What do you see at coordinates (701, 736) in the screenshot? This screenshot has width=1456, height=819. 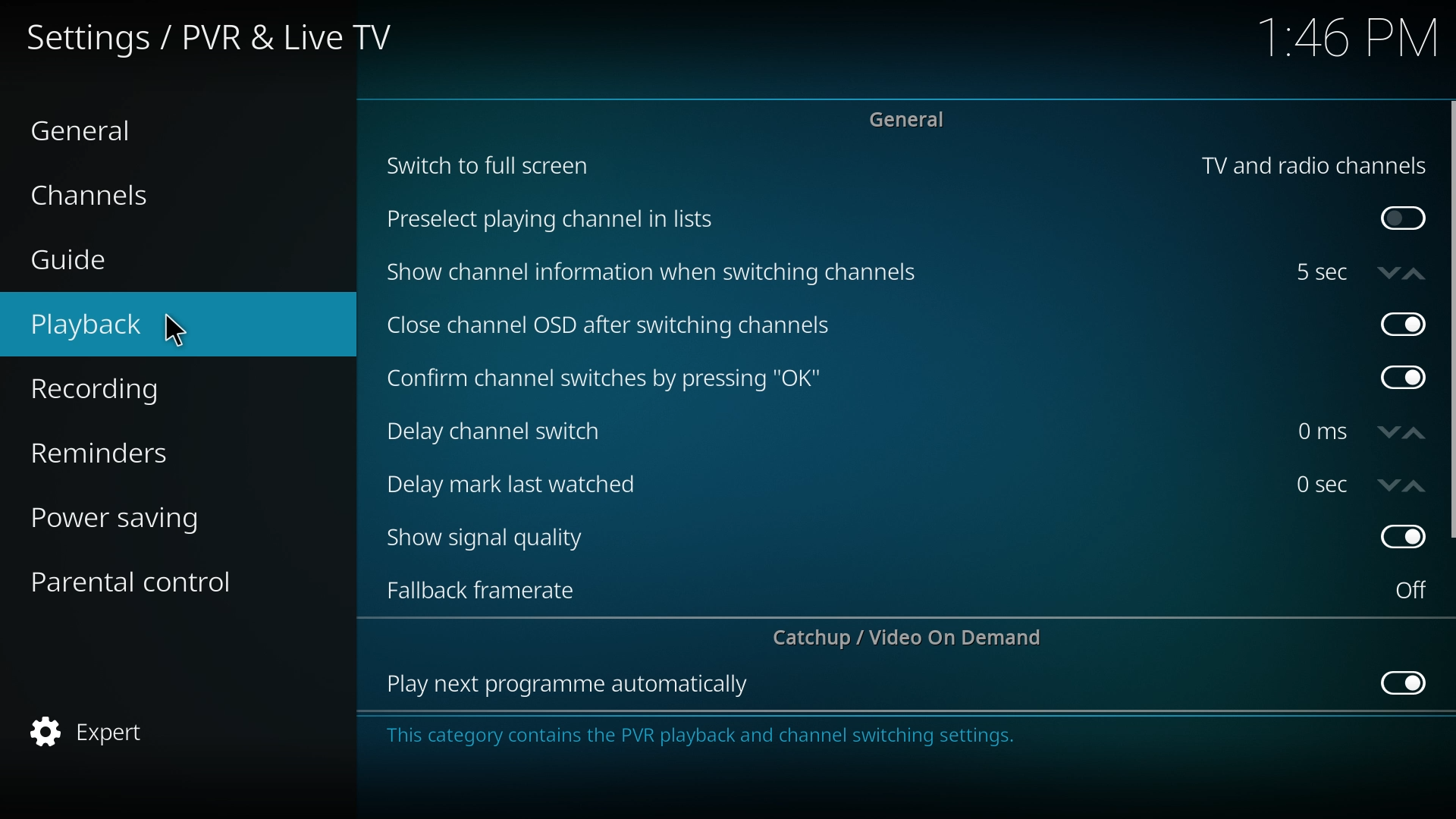 I see `info` at bounding box center [701, 736].